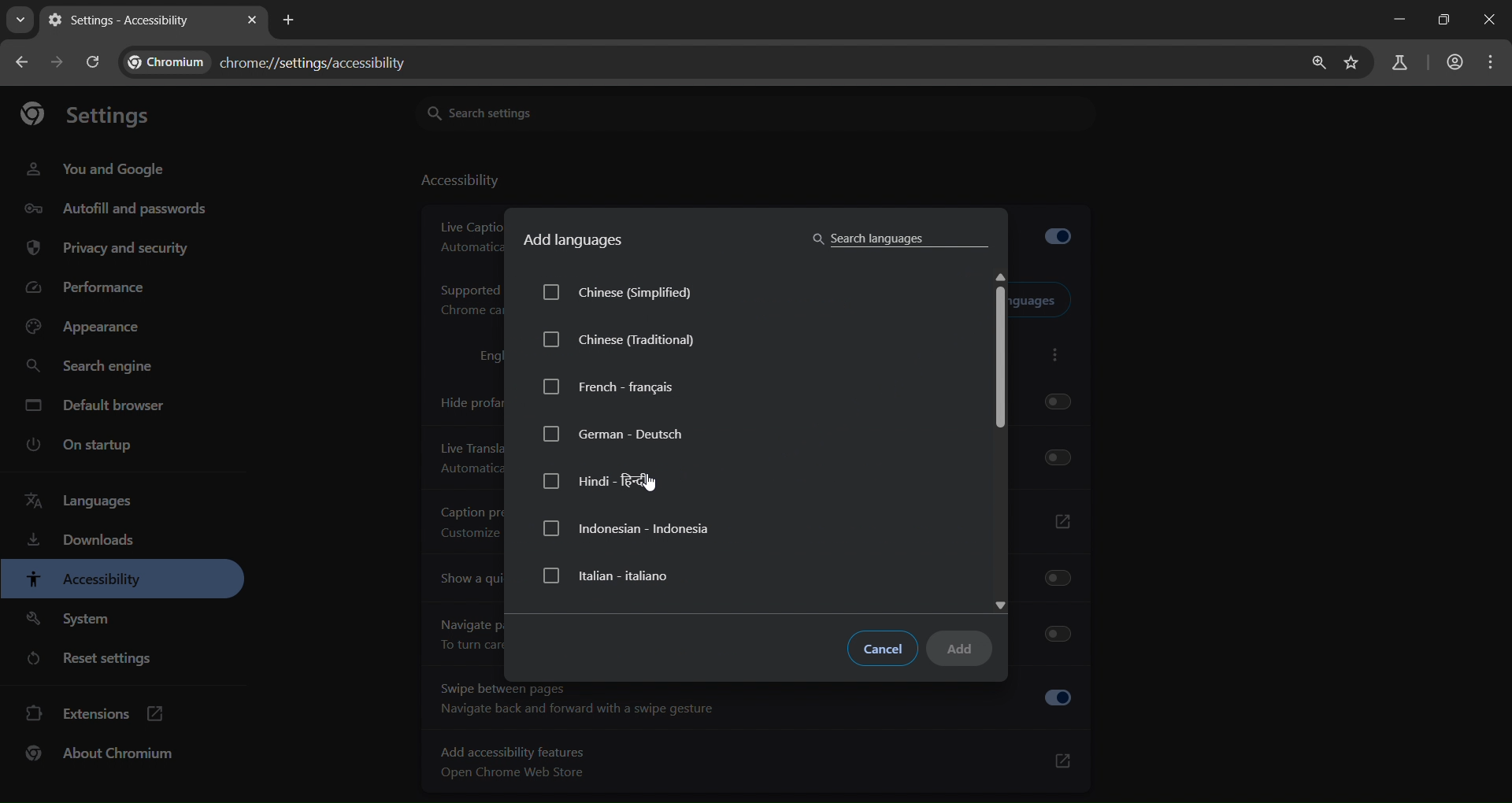 This screenshot has width=1512, height=803. Describe the element at coordinates (316, 60) in the screenshot. I see `chrome://settings/accessibility` at that location.